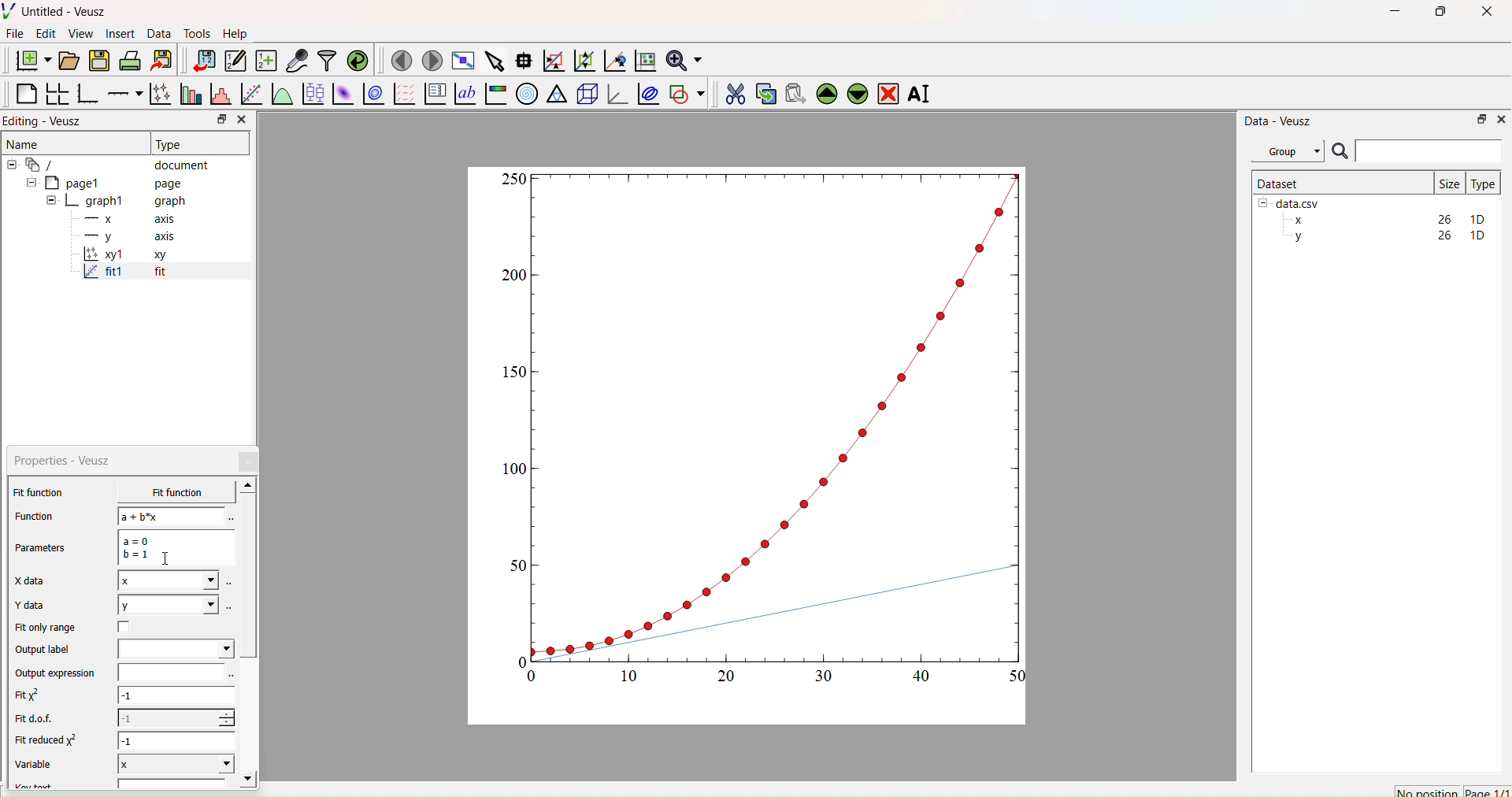 This screenshot has height=797, width=1512. I want to click on Plot box plots, so click(313, 94).